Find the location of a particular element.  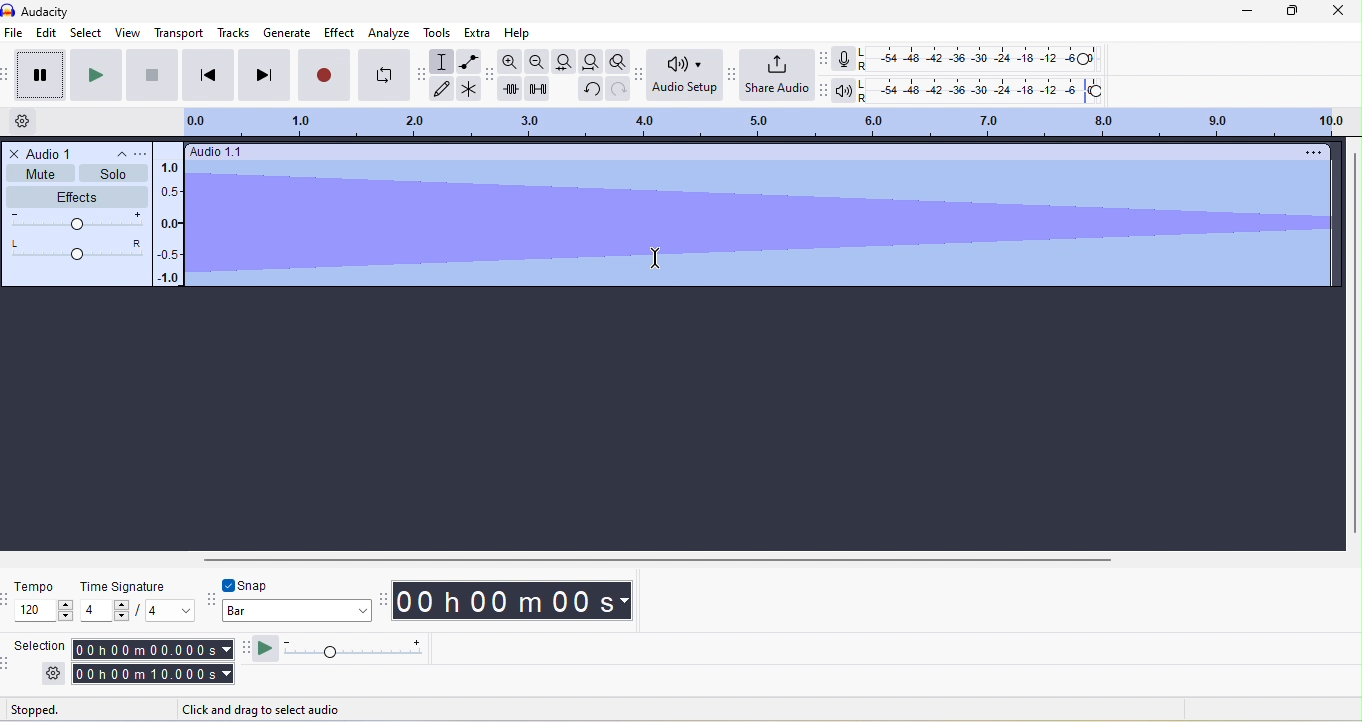

multi tool is located at coordinates (470, 89).